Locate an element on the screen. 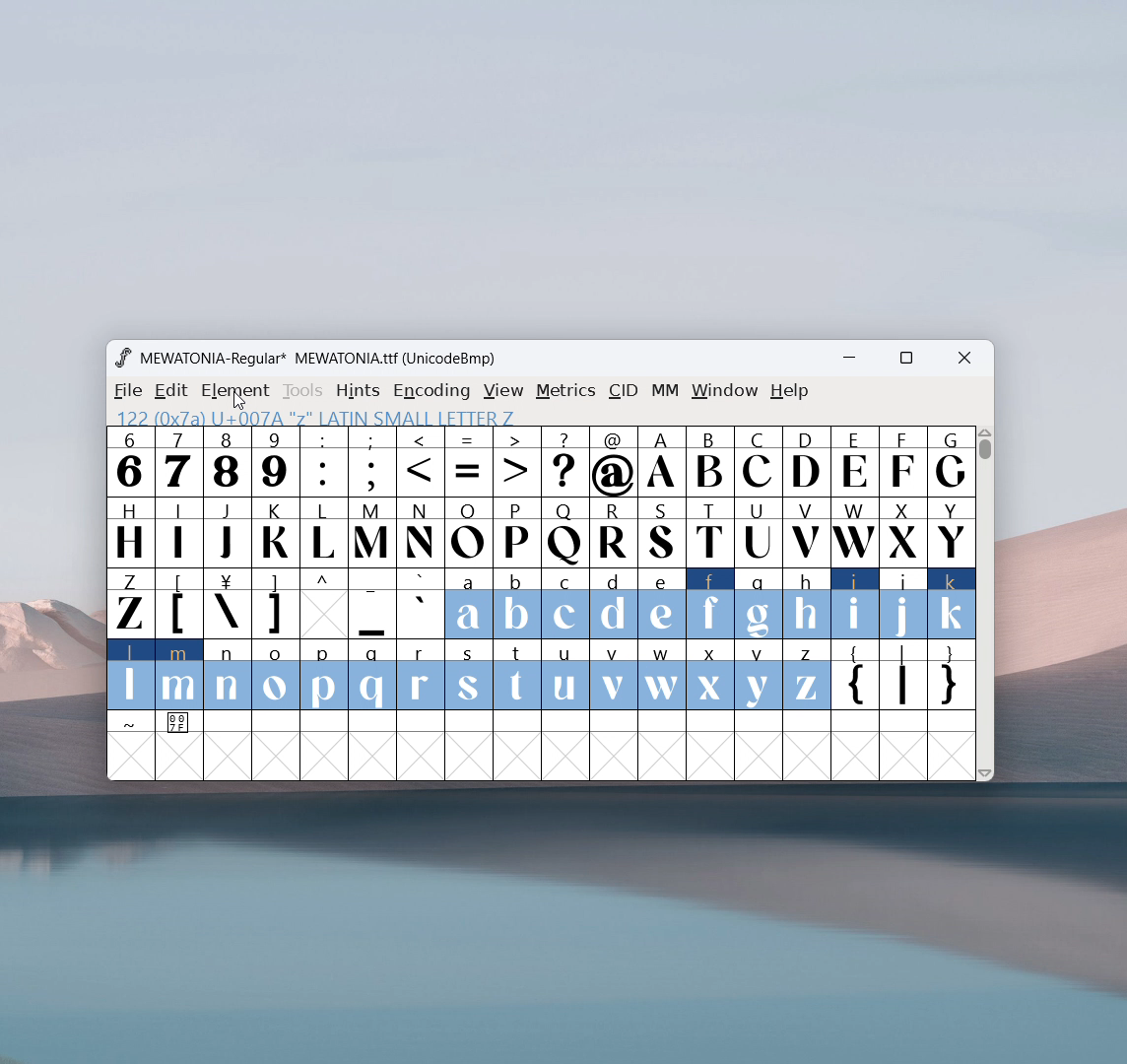 This screenshot has height=1064, width=1127. maximize is located at coordinates (905, 361).